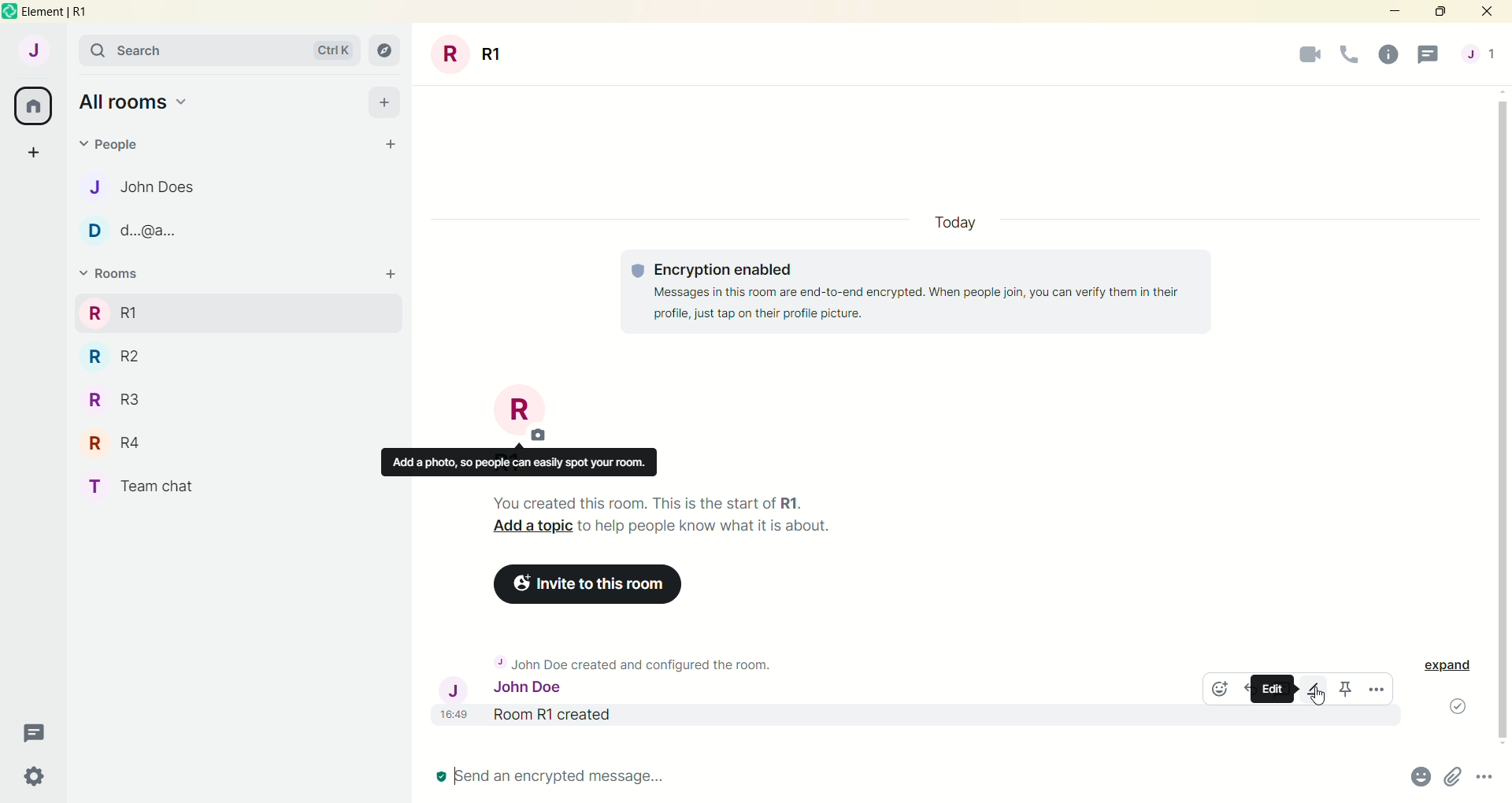 The width and height of the screenshot is (1512, 803). I want to click on close, so click(1490, 12).